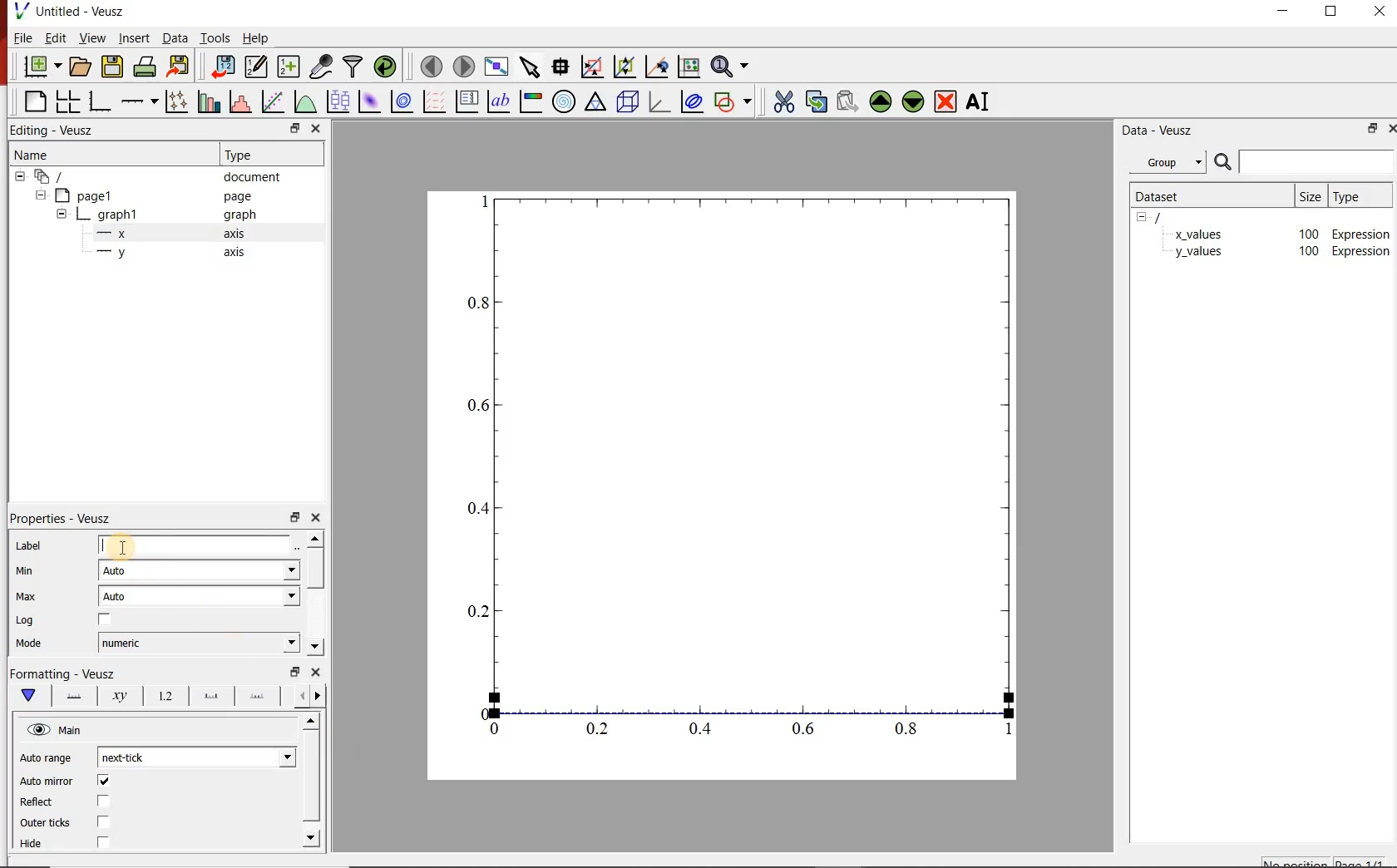 The height and width of the screenshot is (868, 1397). I want to click on edit , so click(57, 37).